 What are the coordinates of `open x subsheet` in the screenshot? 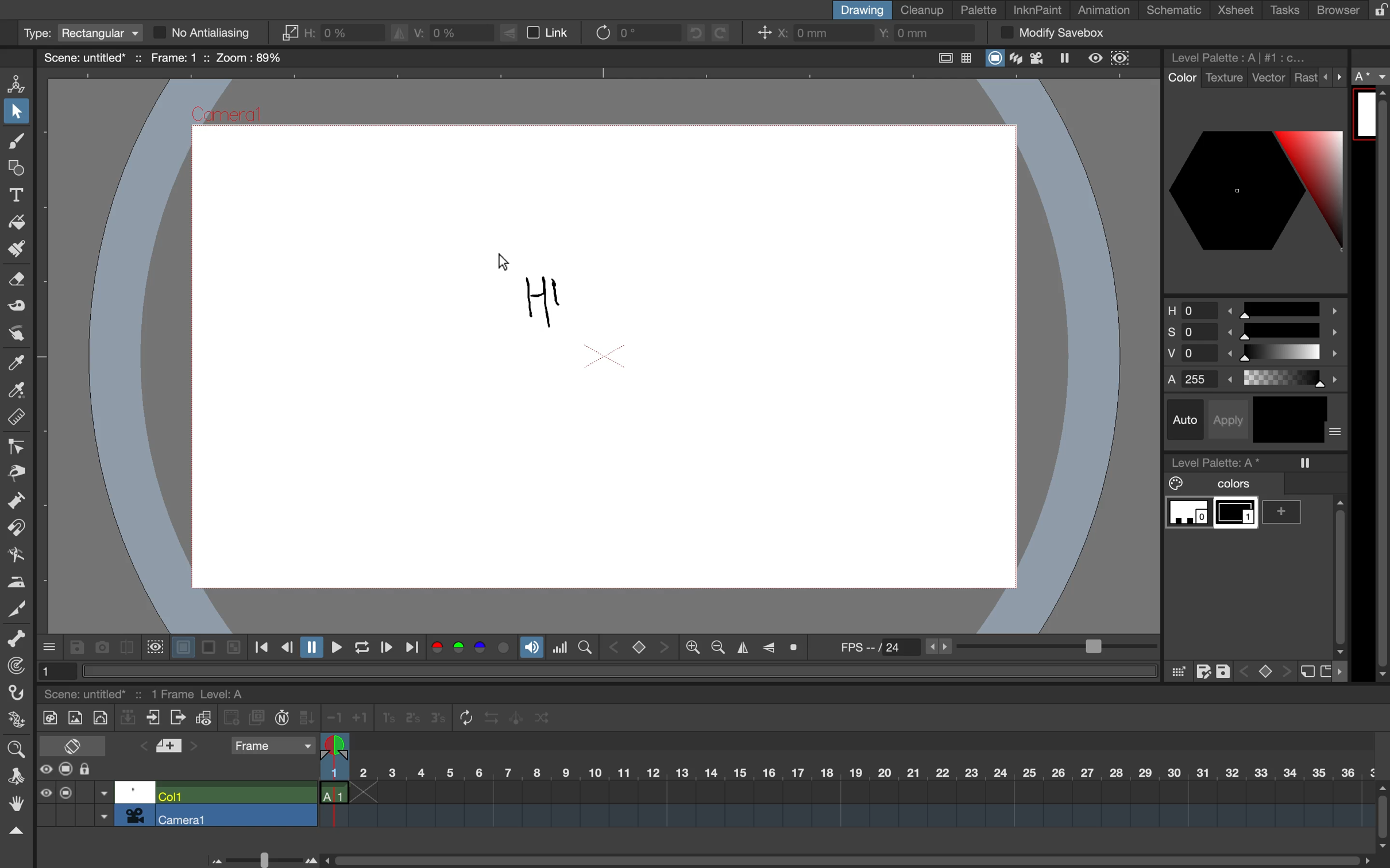 It's located at (176, 718).